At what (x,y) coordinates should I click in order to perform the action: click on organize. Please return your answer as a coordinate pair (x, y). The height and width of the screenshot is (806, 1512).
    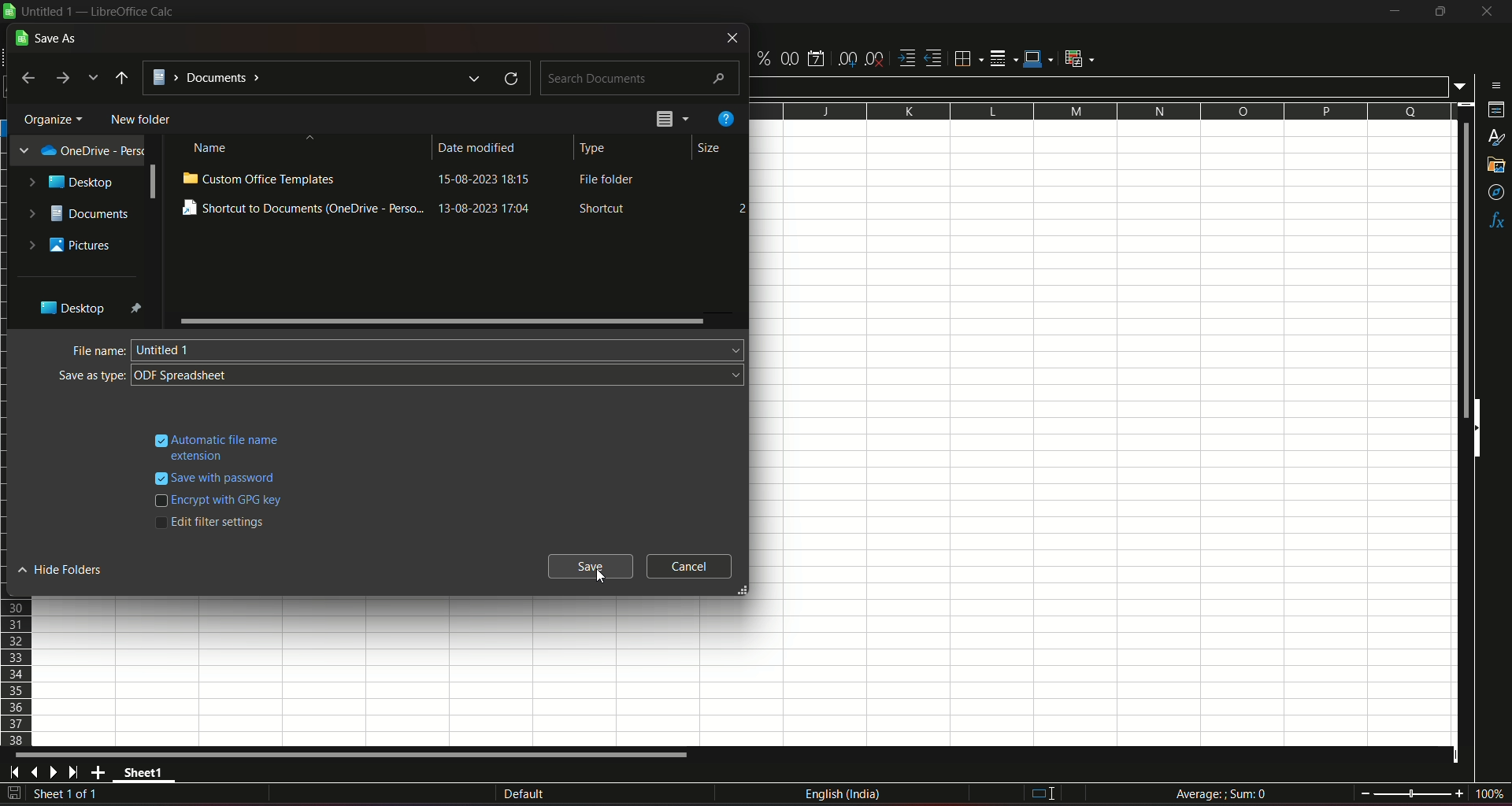
    Looking at the image, I should click on (54, 117).